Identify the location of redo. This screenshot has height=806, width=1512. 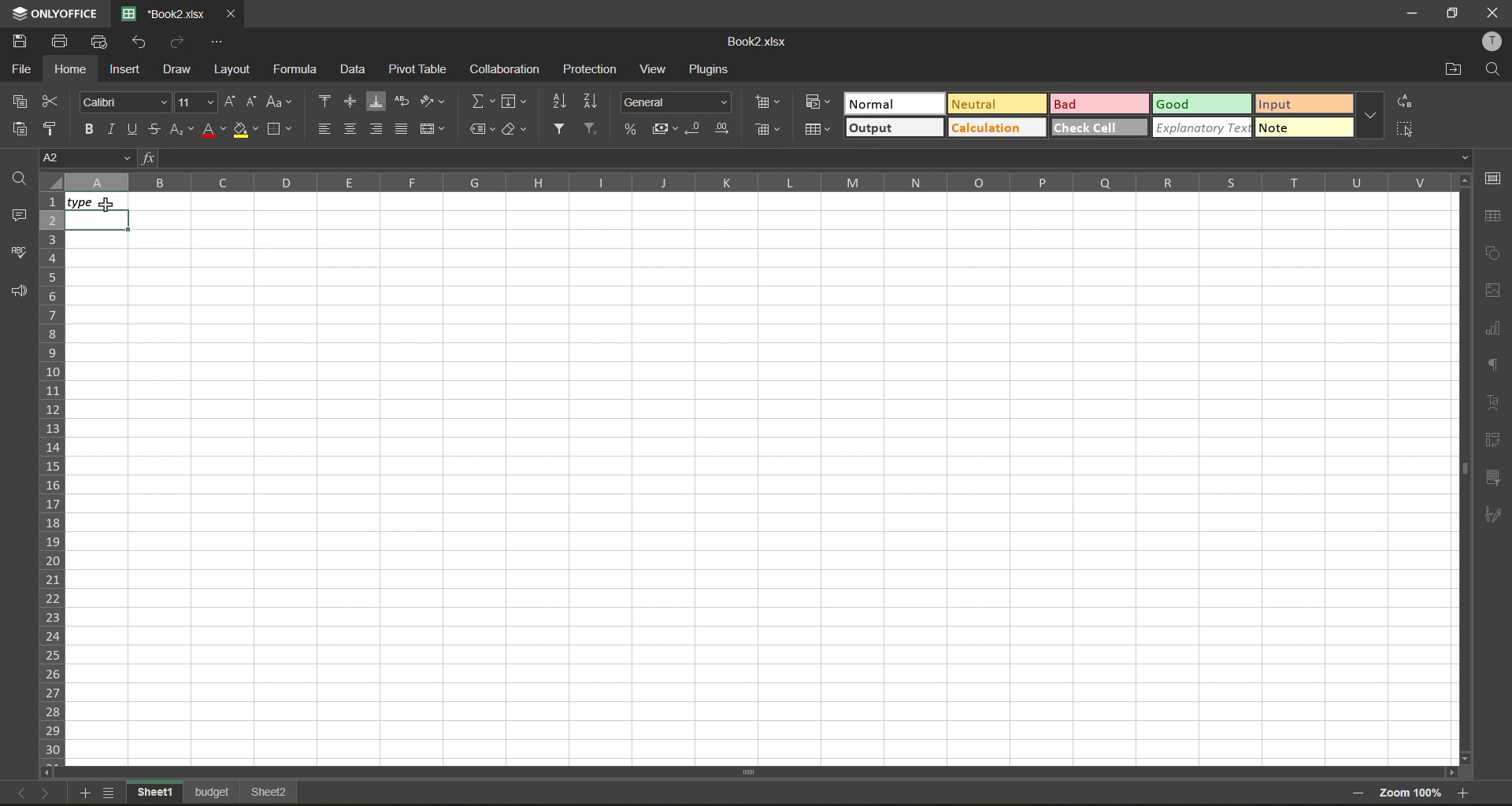
(183, 42).